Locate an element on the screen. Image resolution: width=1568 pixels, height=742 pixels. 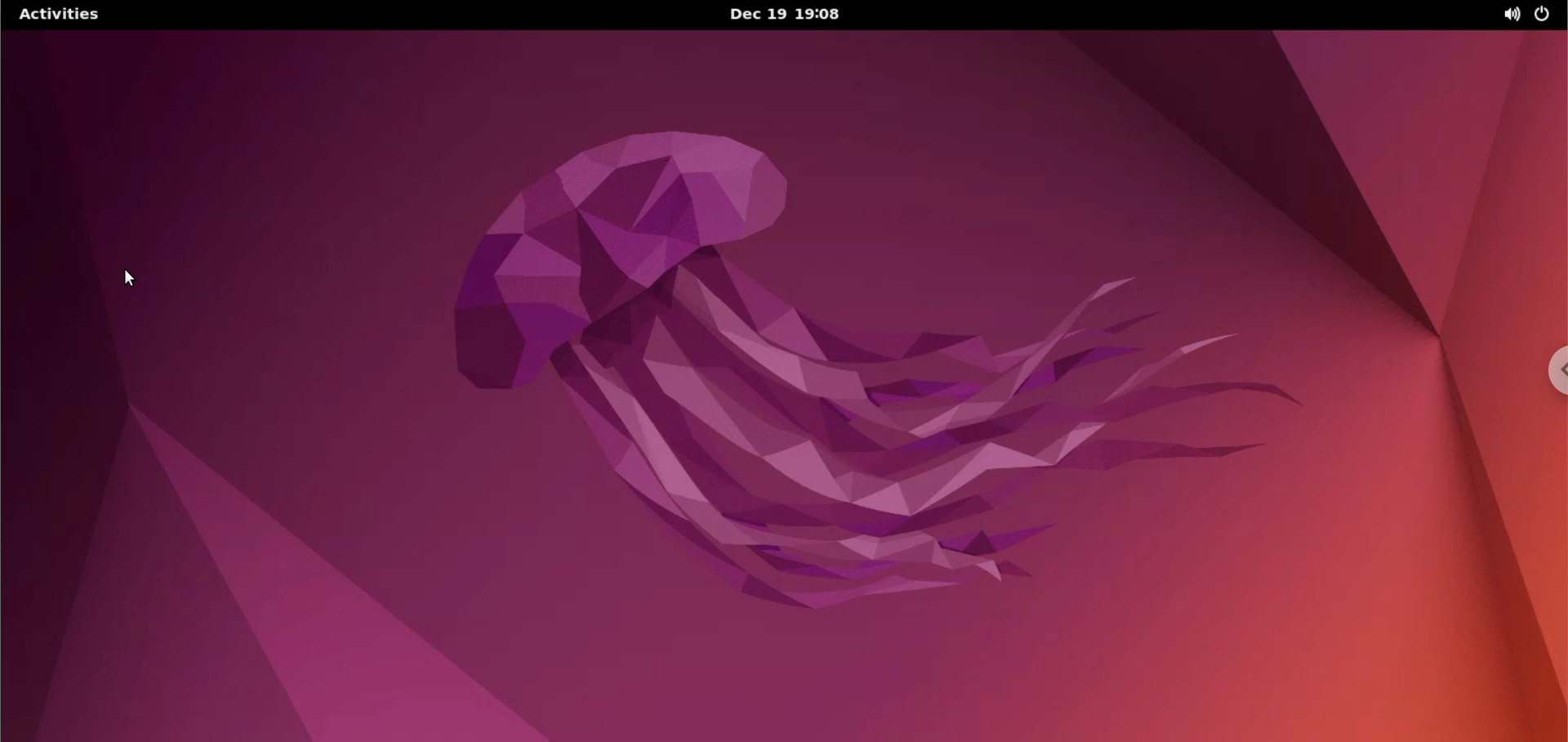
sound options is located at coordinates (1508, 15).